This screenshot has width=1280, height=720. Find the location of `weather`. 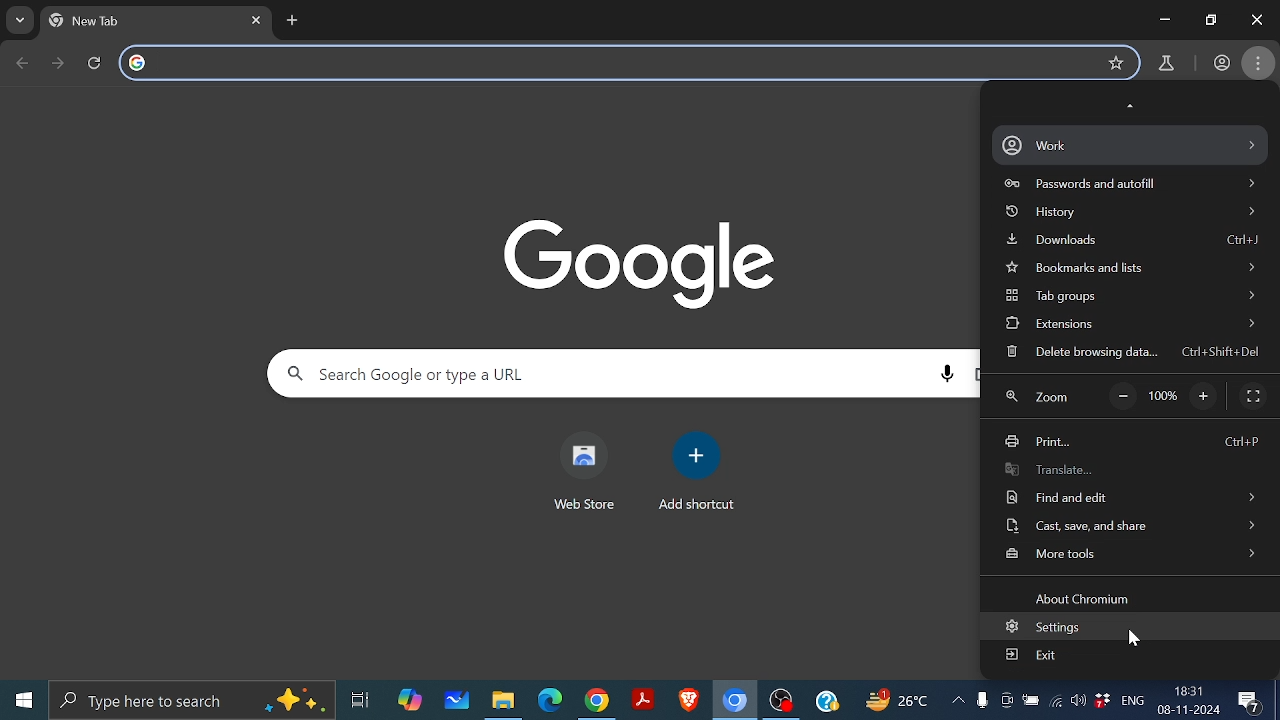

weather is located at coordinates (899, 703).